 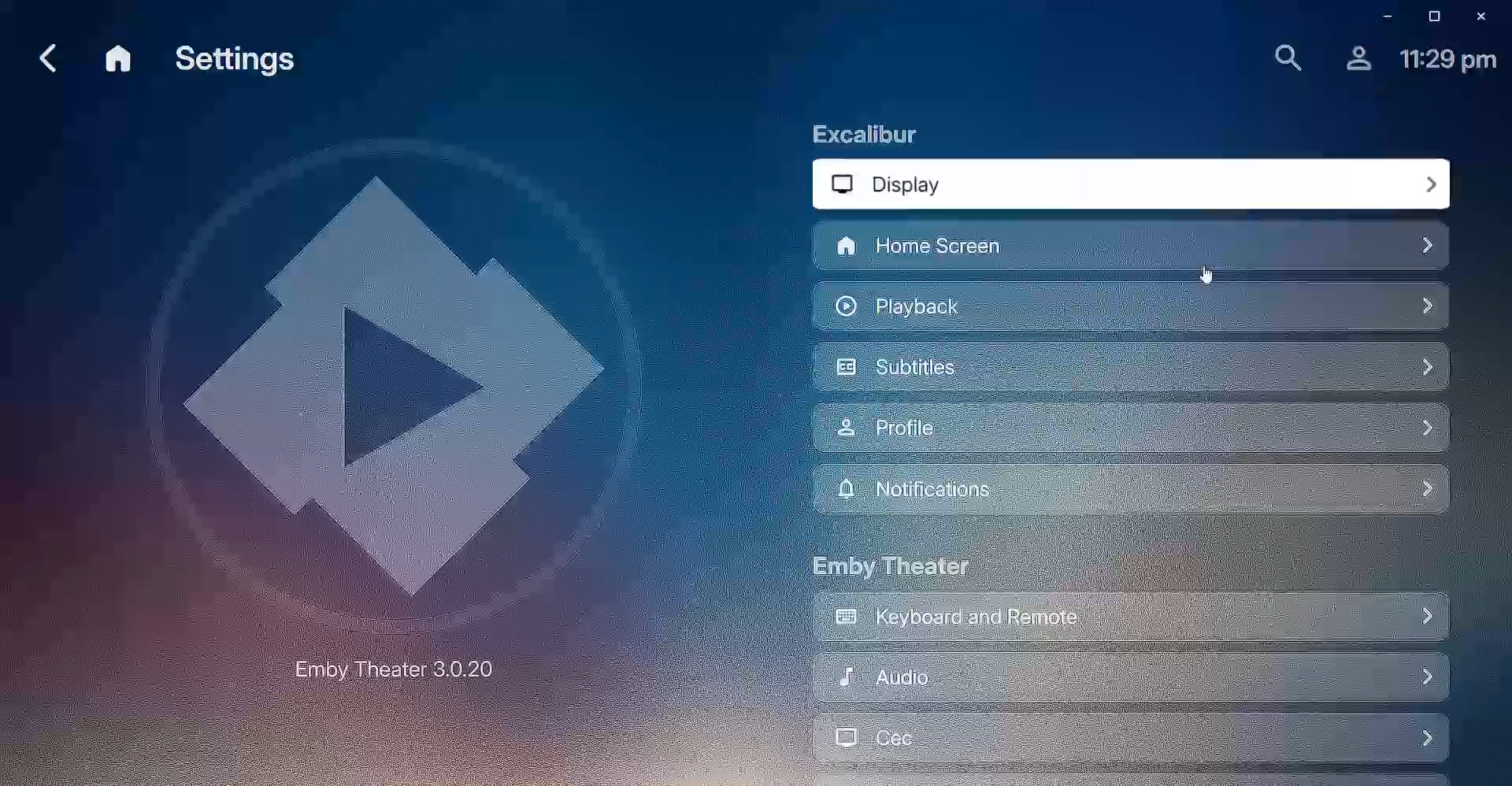 What do you see at coordinates (1380, 15) in the screenshot?
I see `Minimize` at bounding box center [1380, 15].